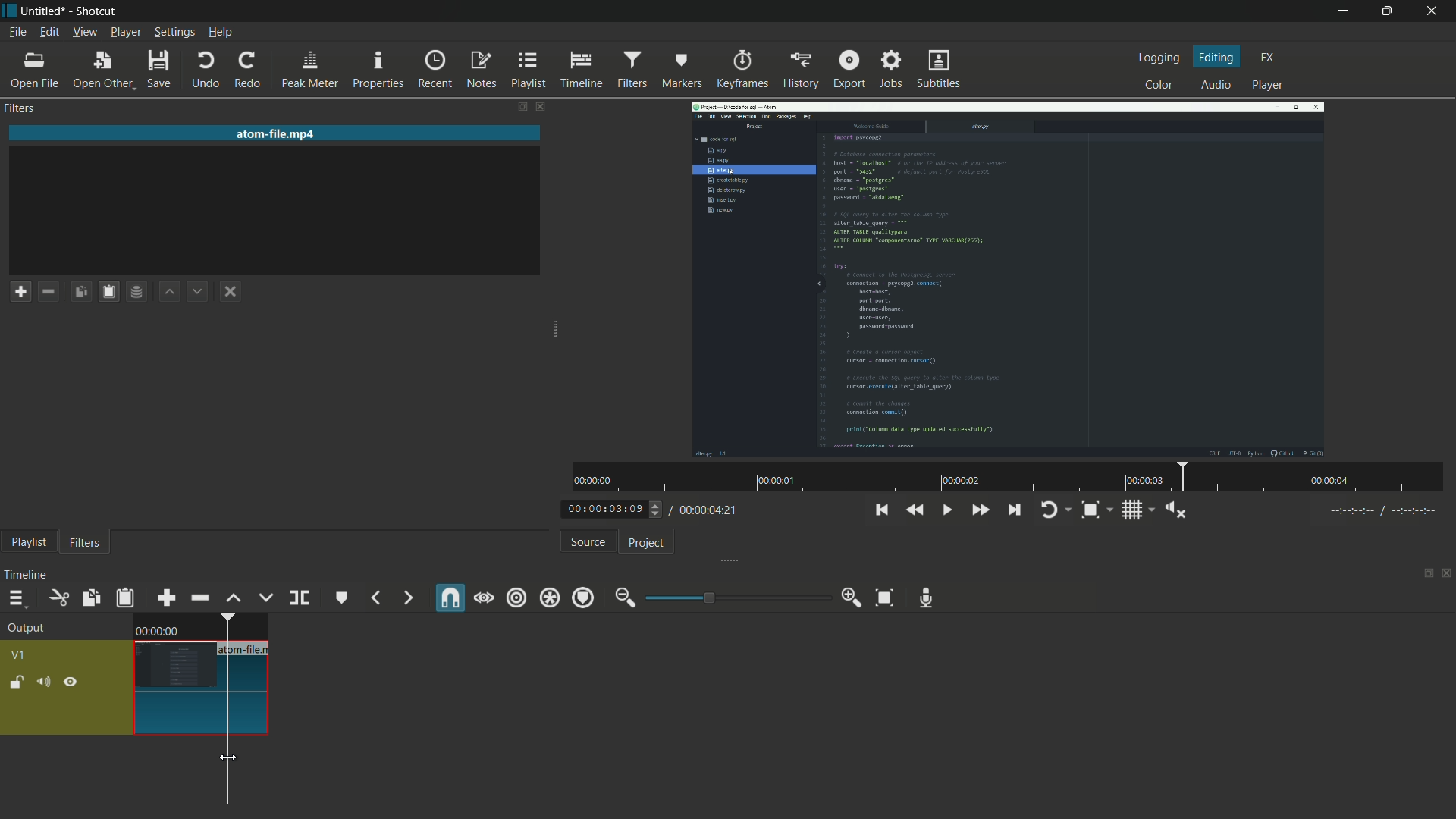  What do you see at coordinates (450, 598) in the screenshot?
I see `snap` at bounding box center [450, 598].